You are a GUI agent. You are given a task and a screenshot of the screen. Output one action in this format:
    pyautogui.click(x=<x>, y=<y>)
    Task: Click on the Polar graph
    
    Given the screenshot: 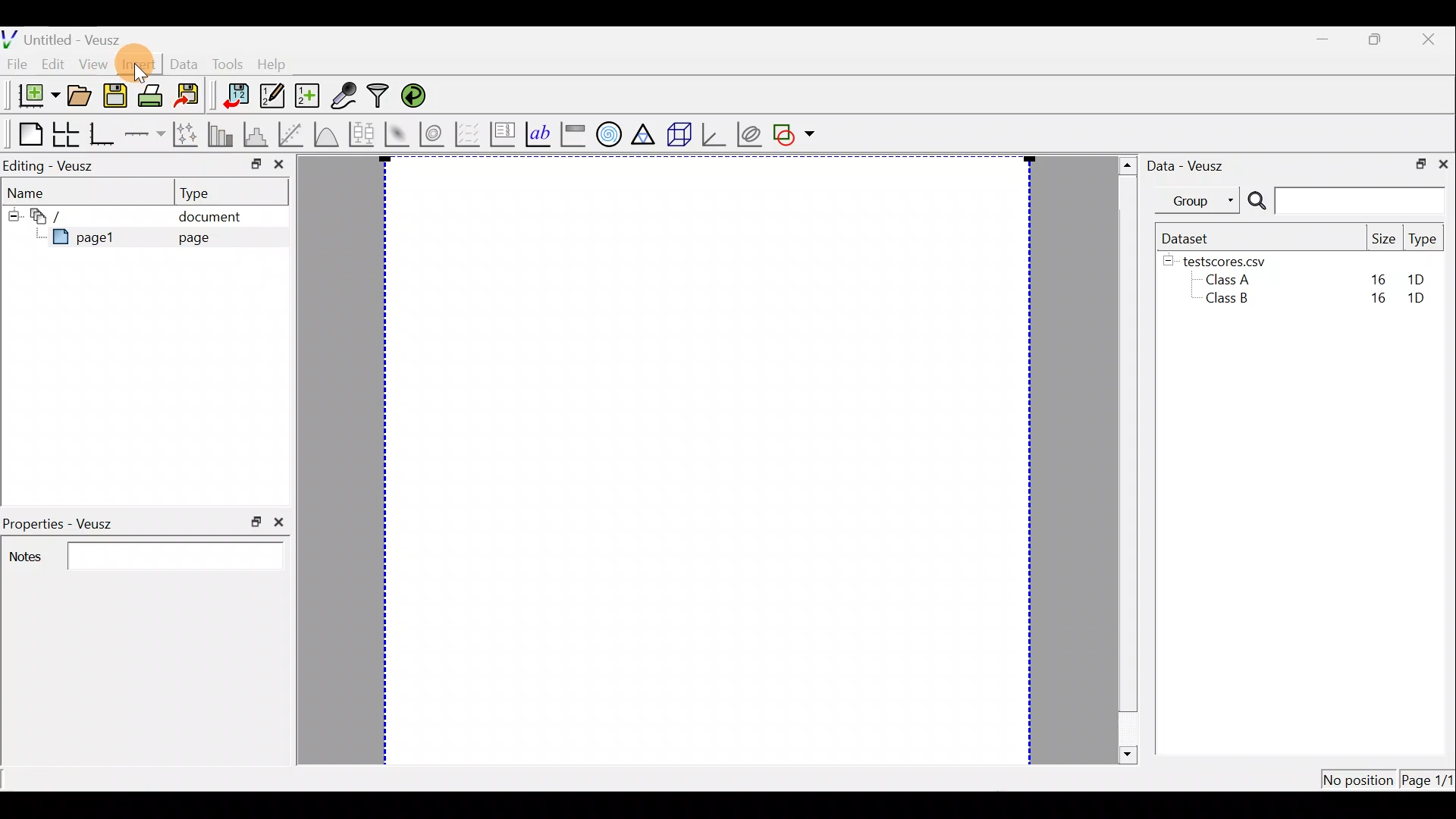 What is the action you would take?
    pyautogui.click(x=609, y=135)
    